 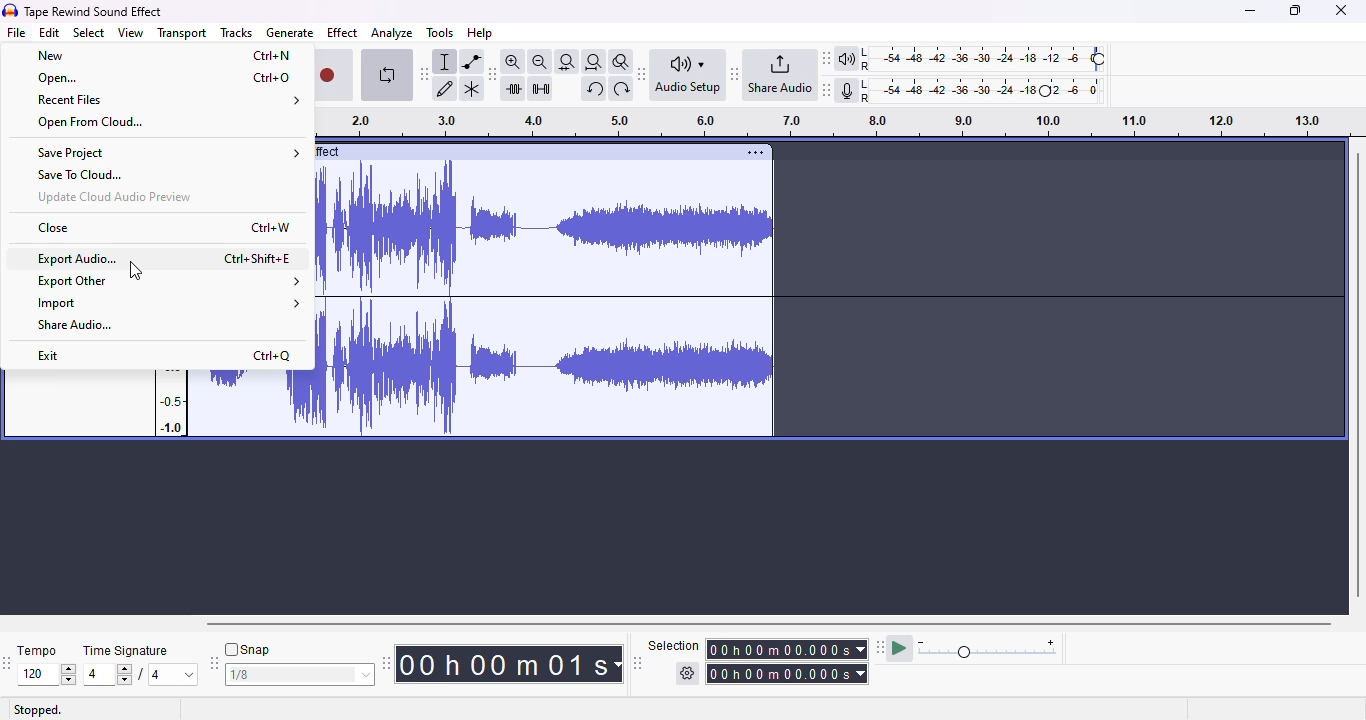 What do you see at coordinates (11, 10) in the screenshot?
I see `logo` at bounding box center [11, 10].